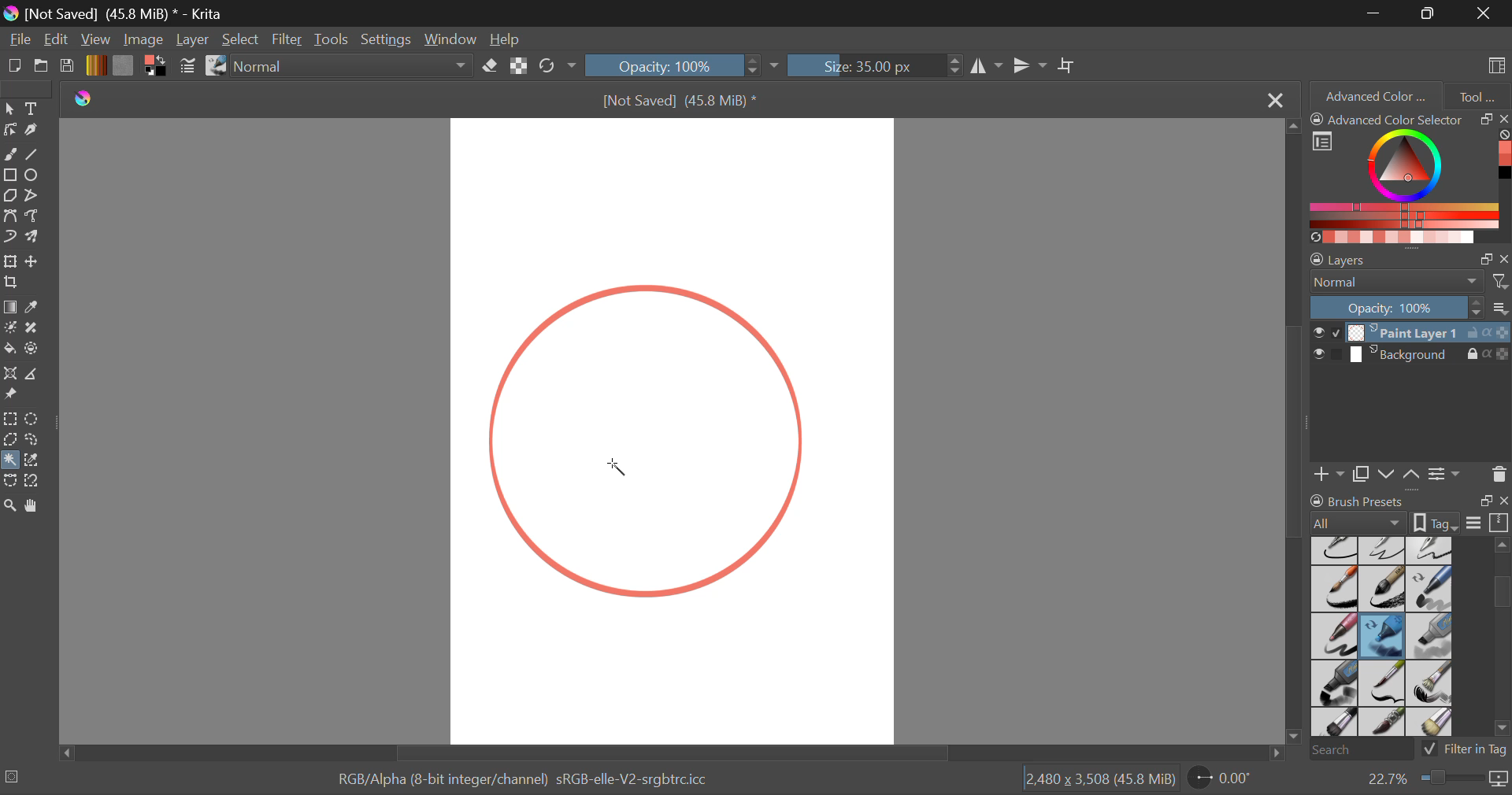 The height and width of the screenshot is (795, 1512). What do you see at coordinates (192, 39) in the screenshot?
I see `Layer` at bounding box center [192, 39].